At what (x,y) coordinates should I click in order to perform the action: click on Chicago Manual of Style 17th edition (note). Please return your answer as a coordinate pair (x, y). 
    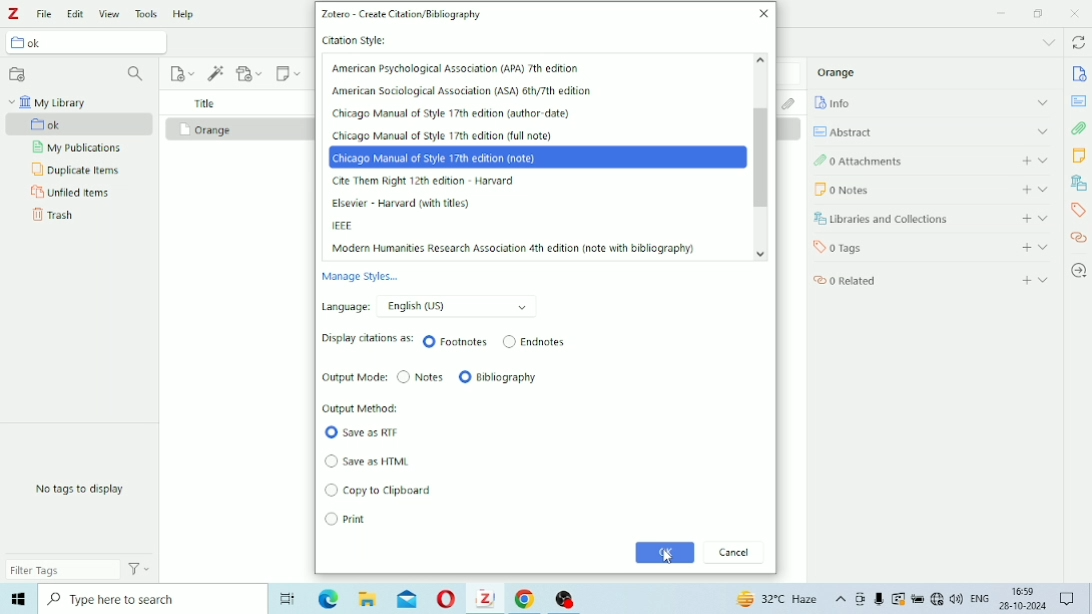
    Looking at the image, I should click on (538, 157).